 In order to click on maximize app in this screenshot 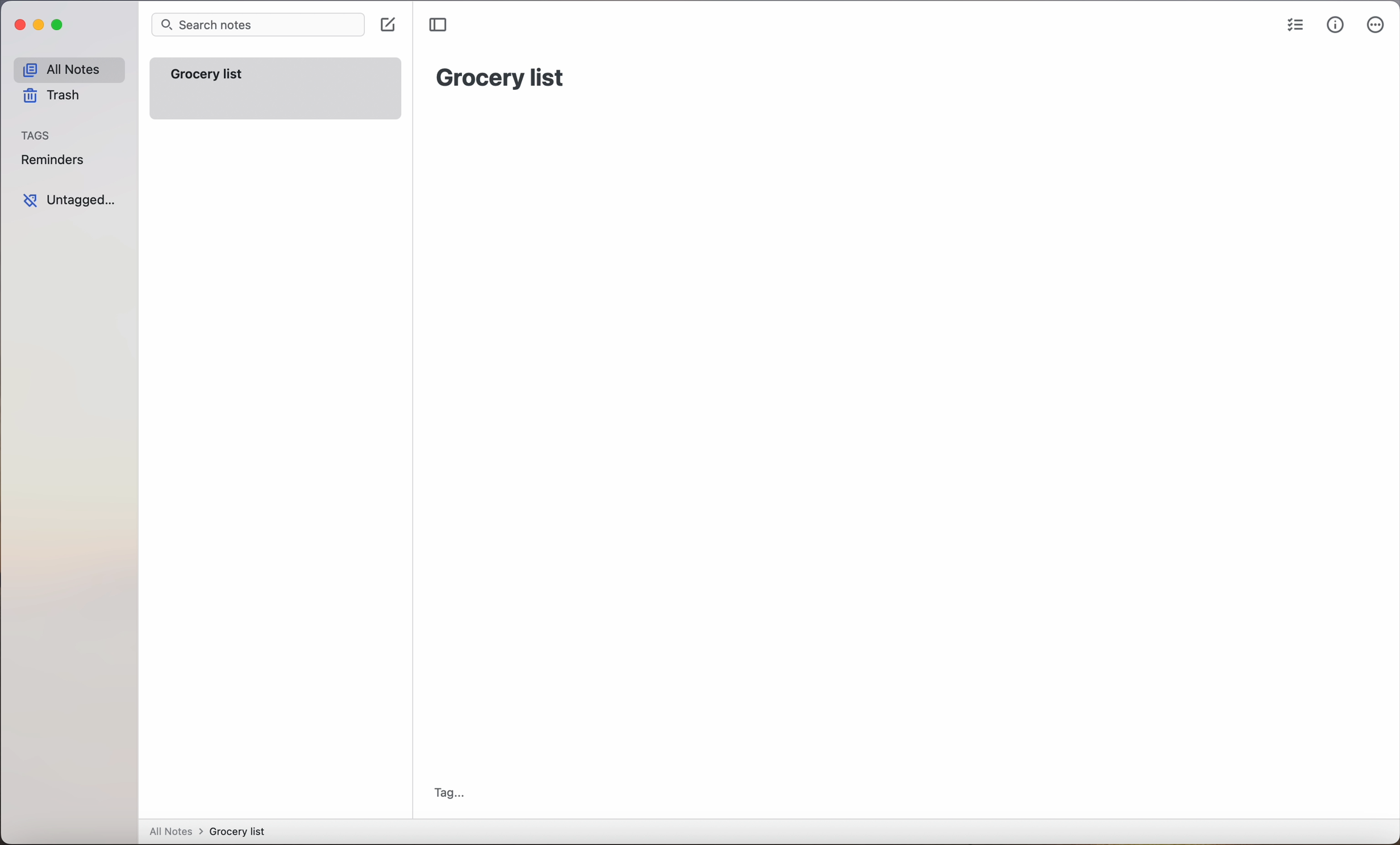, I will do `click(60, 26)`.